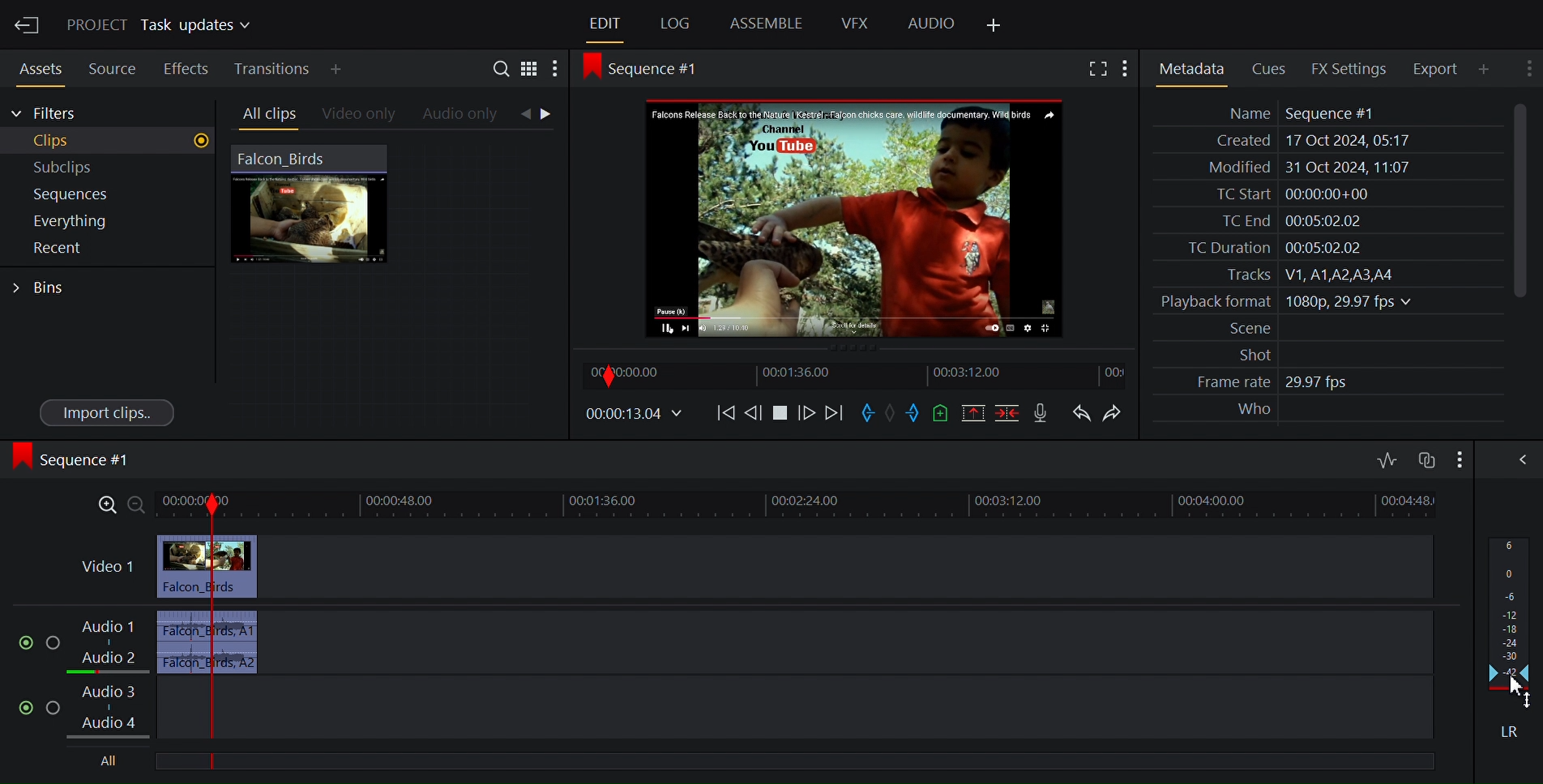  Describe the element at coordinates (1095, 67) in the screenshot. I see `Fullscreen` at that location.